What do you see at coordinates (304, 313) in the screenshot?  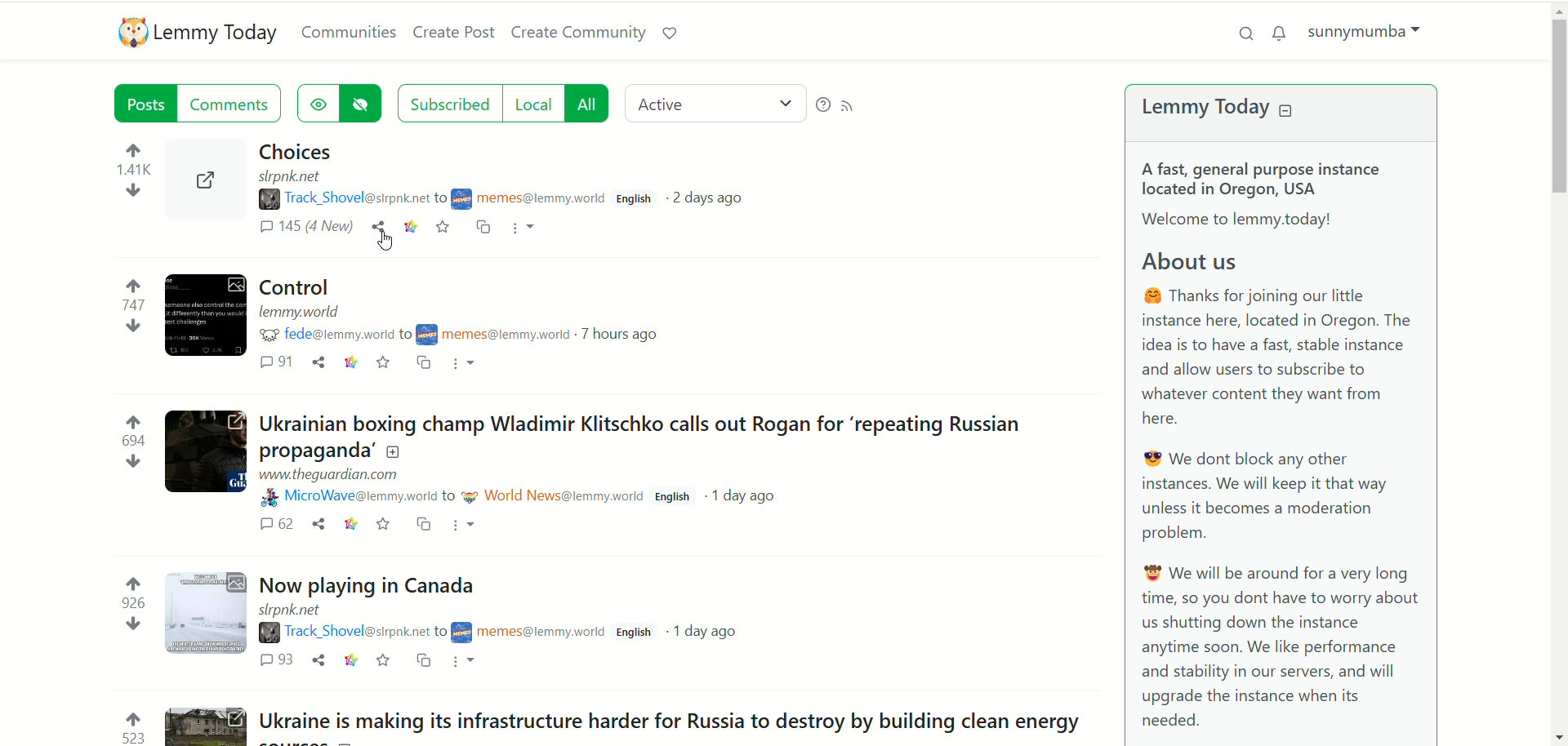 I see `URL` at bounding box center [304, 313].